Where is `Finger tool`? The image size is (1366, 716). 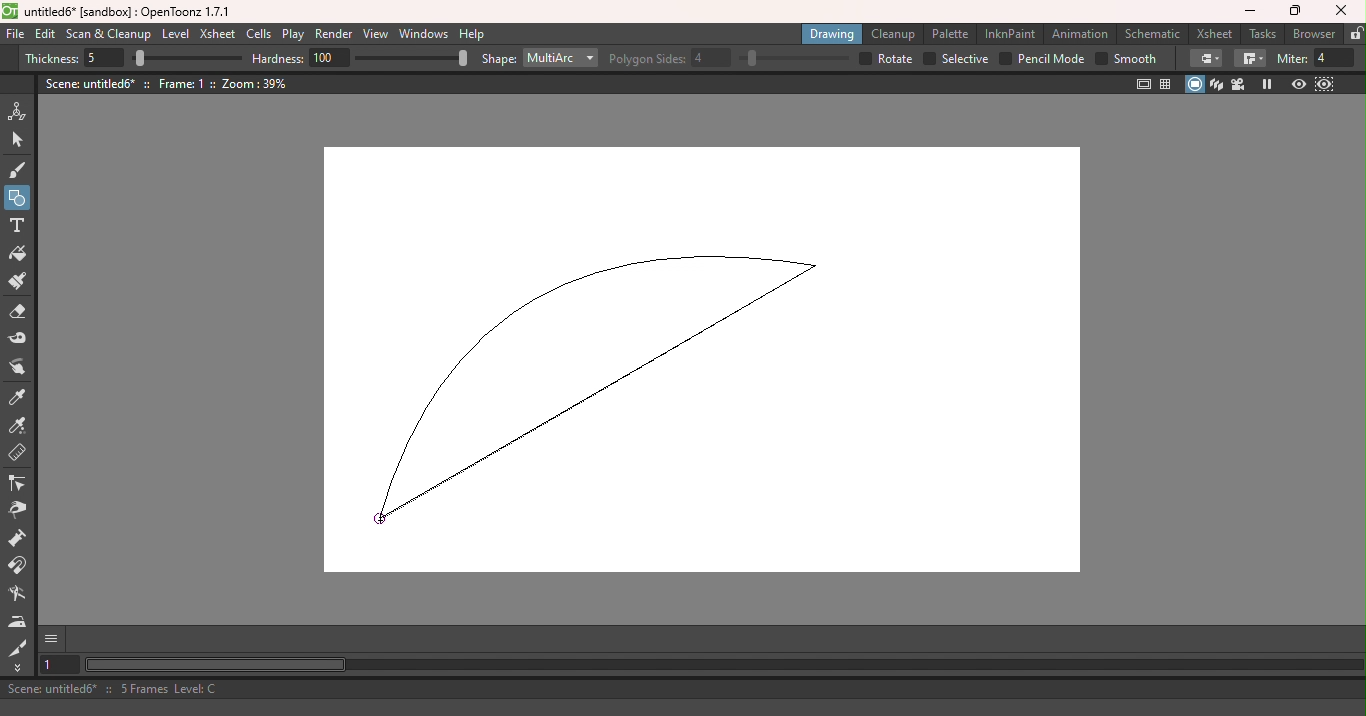
Finger tool is located at coordinates (18, 370).